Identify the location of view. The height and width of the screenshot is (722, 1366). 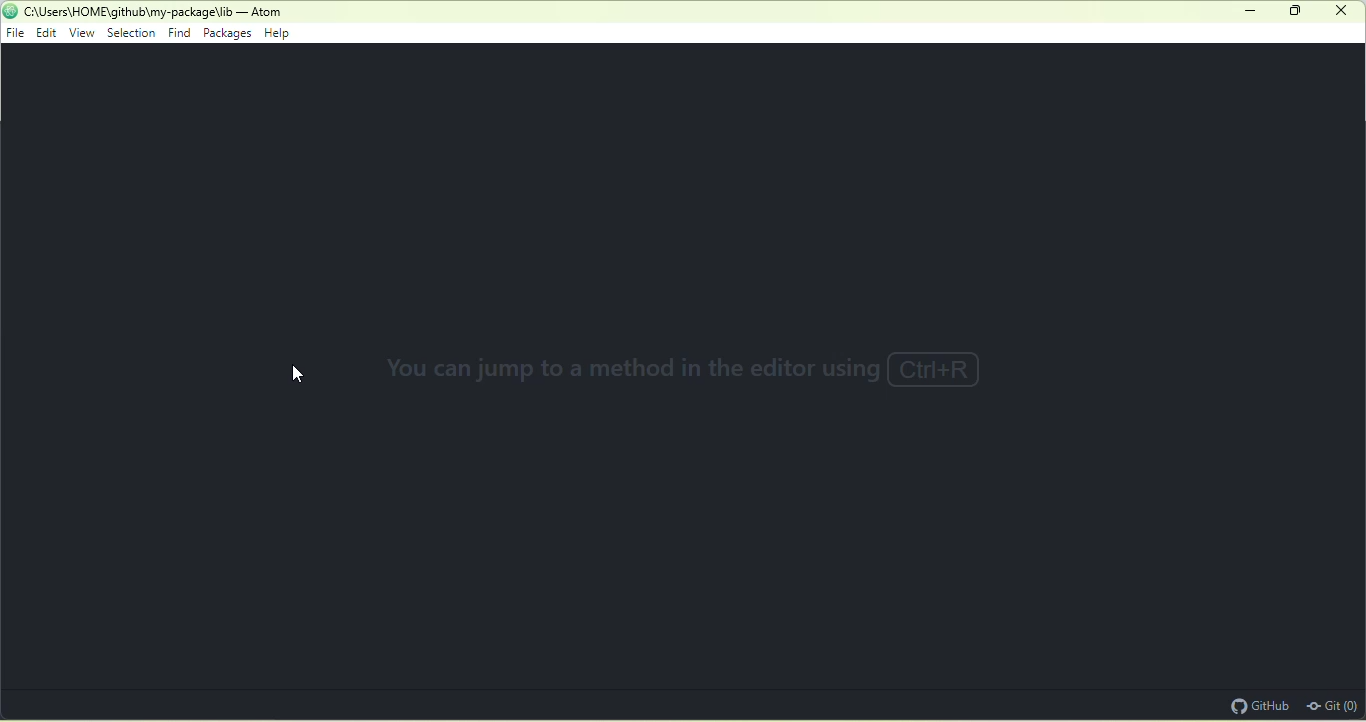
(83, 33).